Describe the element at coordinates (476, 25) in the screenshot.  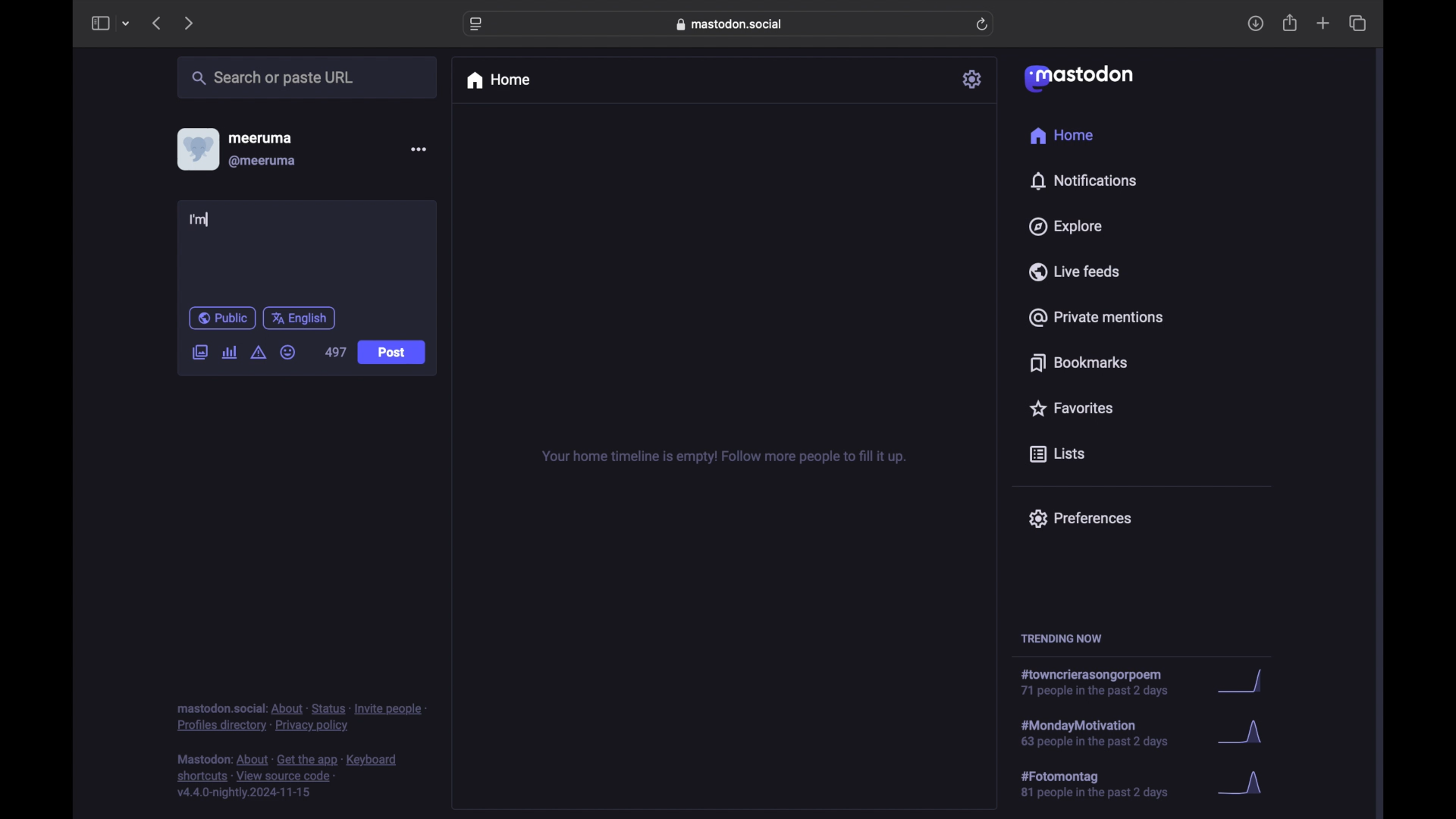
I see `website settings` at that location.